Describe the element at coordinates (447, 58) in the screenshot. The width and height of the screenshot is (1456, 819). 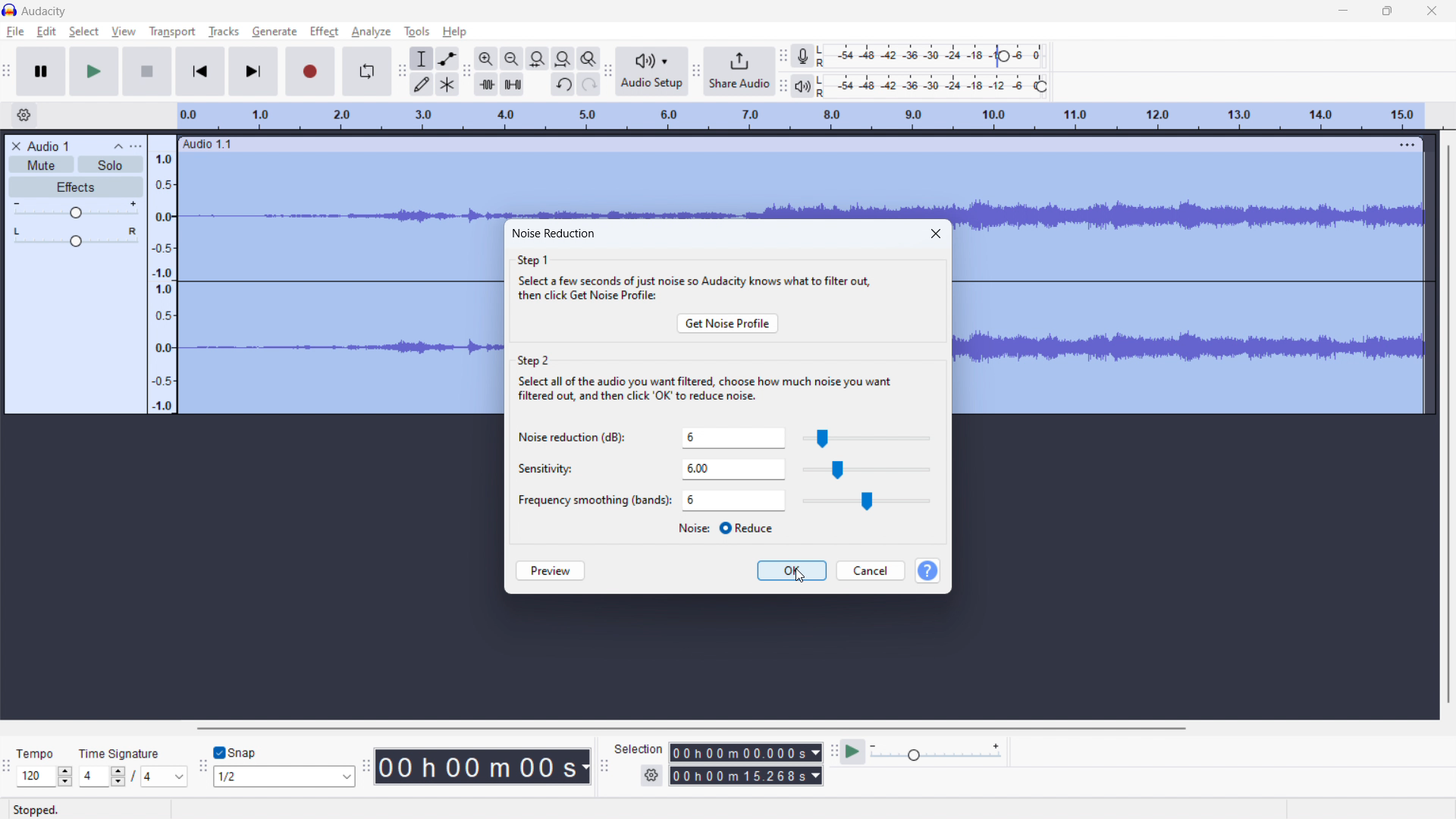
I see `envelop tool` at that location.